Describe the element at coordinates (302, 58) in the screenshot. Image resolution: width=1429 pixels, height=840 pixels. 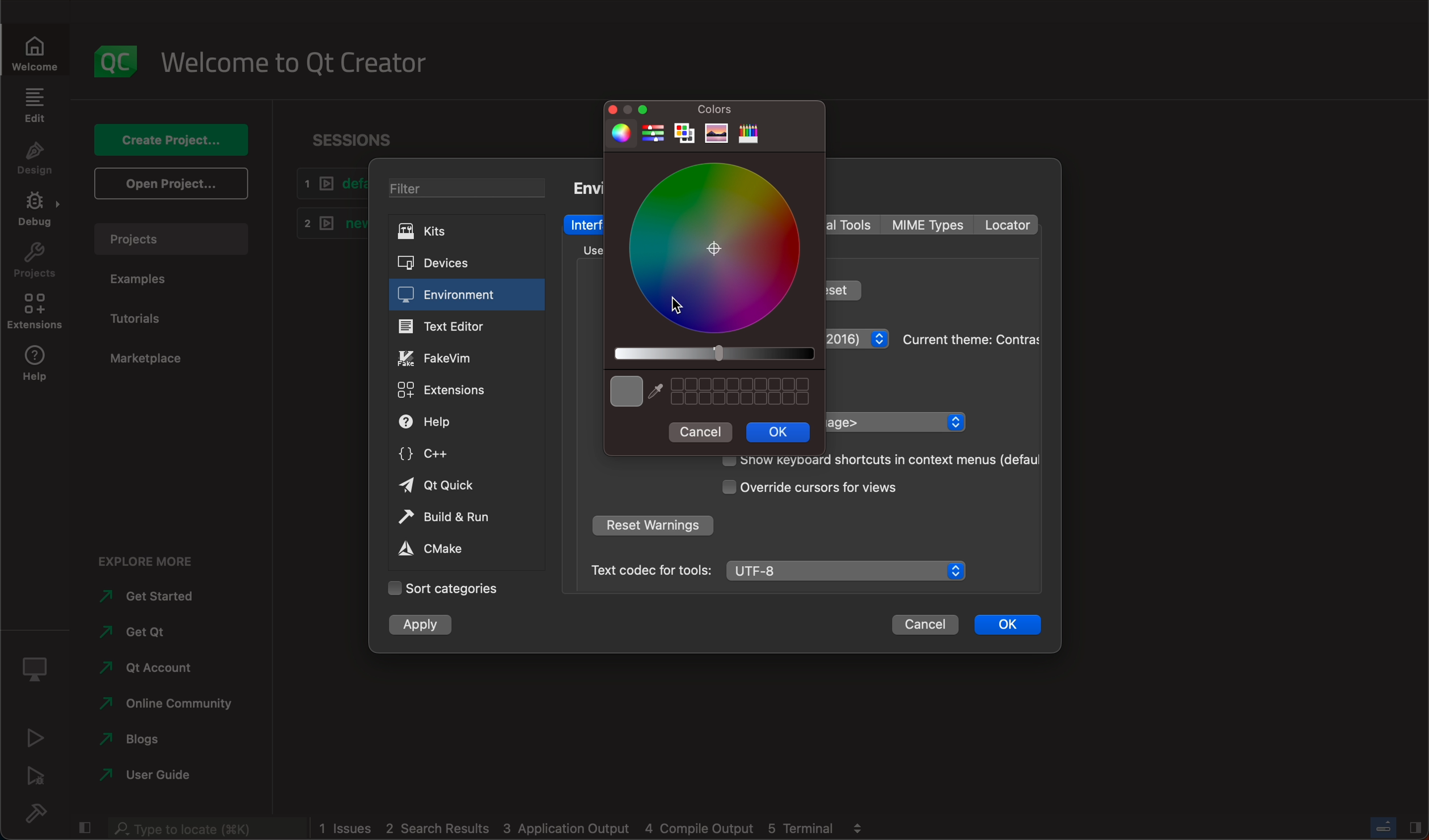
I see `welcomE` at that location.